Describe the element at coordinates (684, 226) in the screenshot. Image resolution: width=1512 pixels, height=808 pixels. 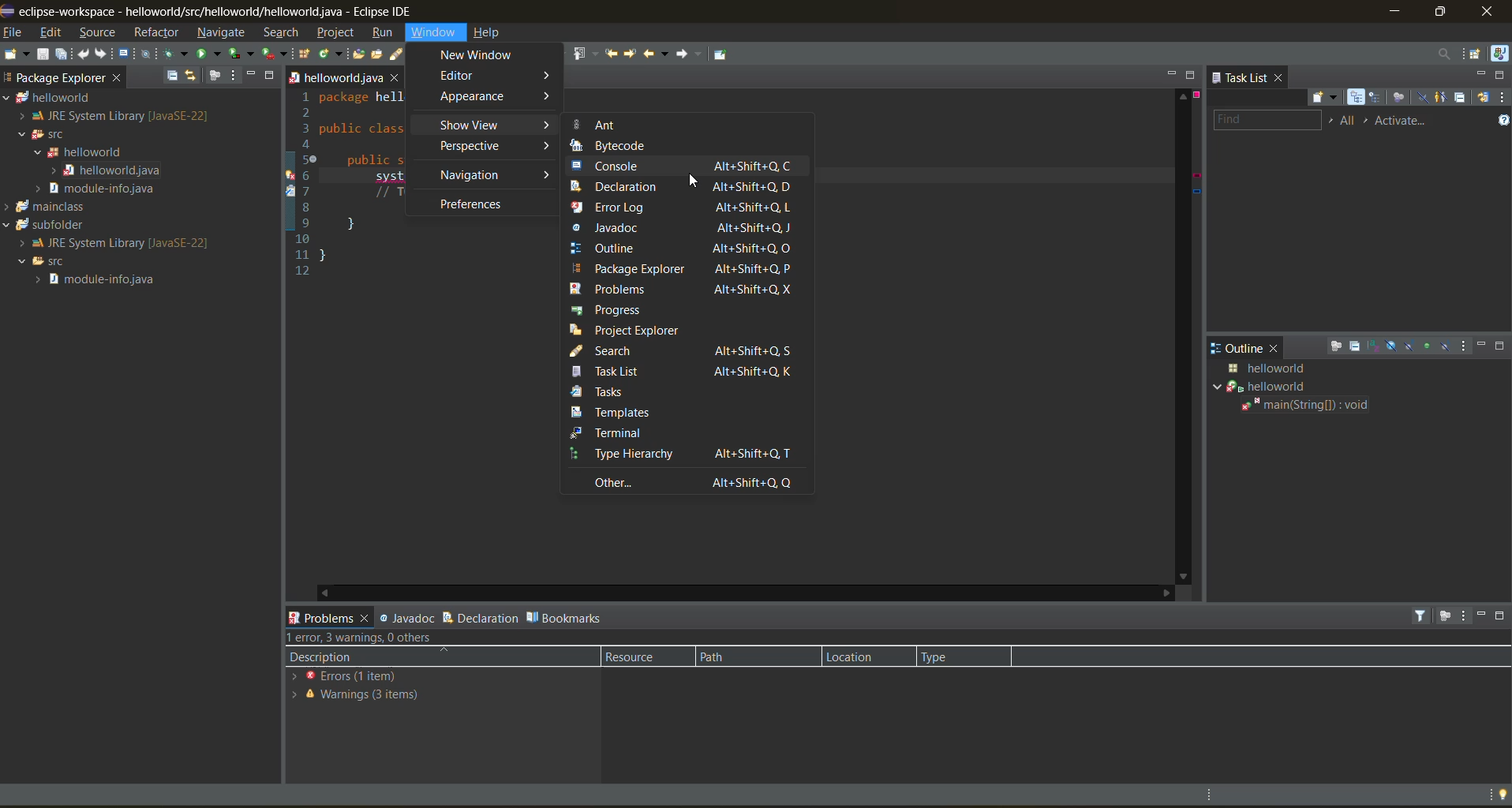
I see `javadoc` at that location.